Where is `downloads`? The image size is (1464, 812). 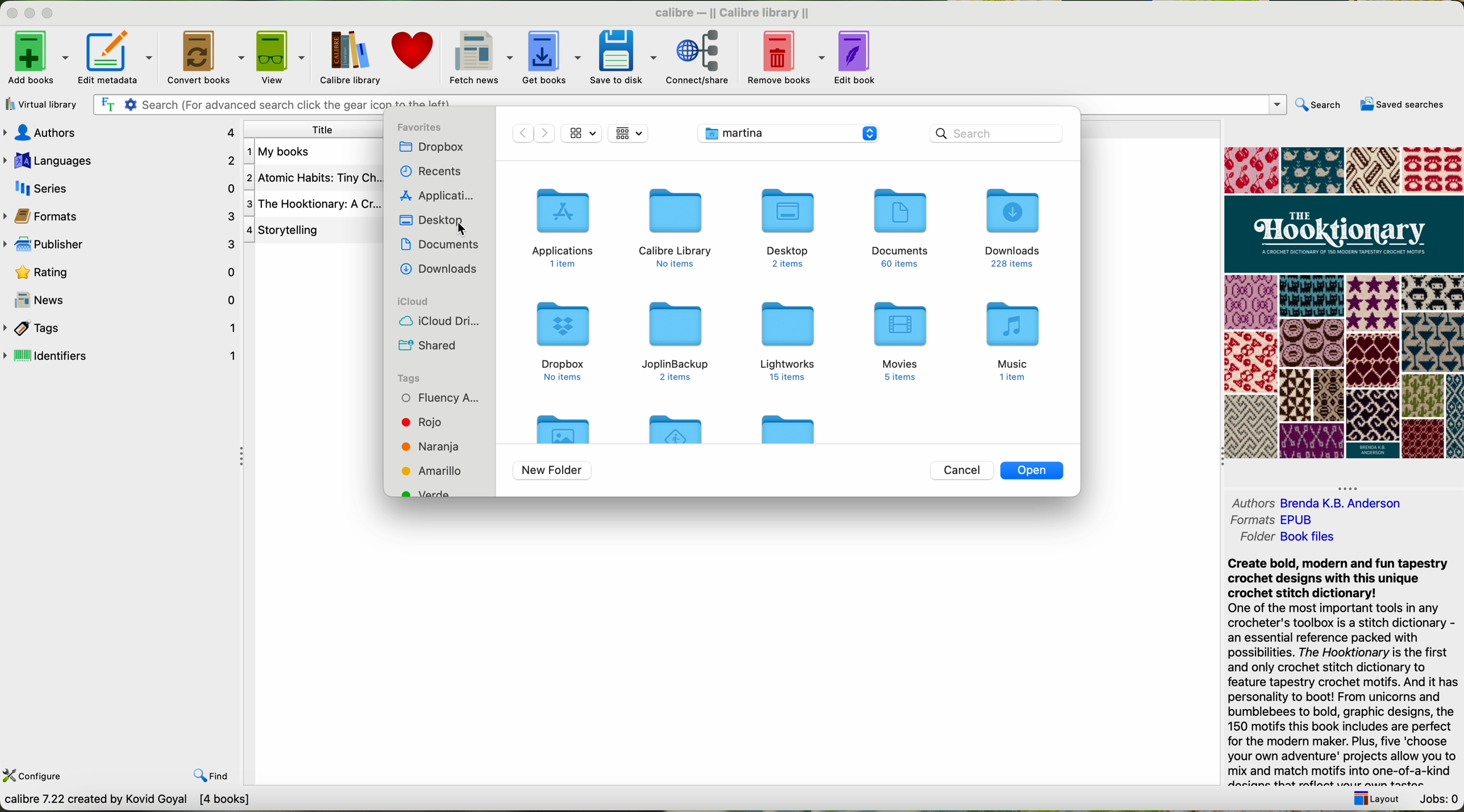
downloads is located at coordinates (438, 269).